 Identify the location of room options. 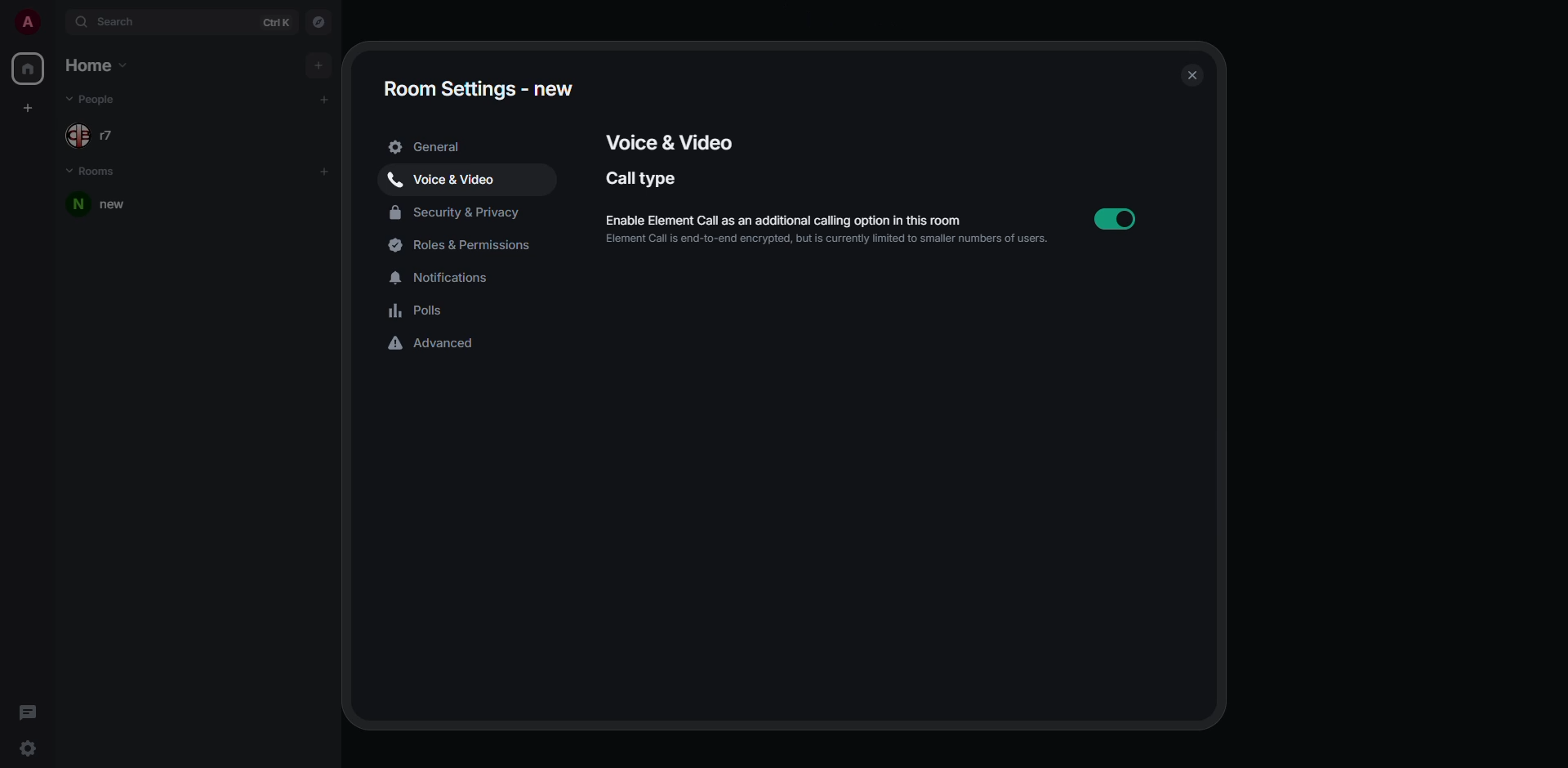
(333, 206).